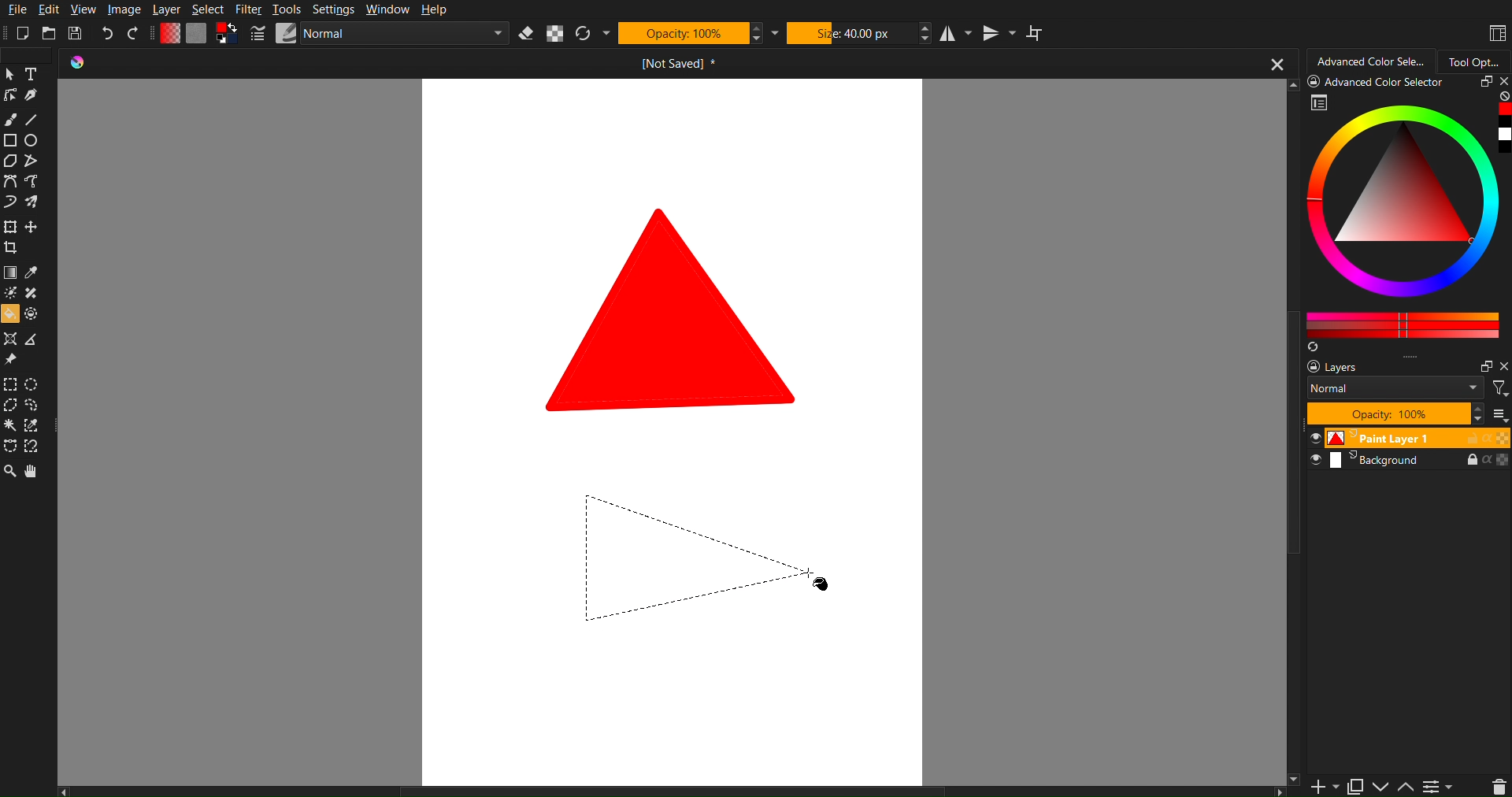  What do you see at coordinates (87, 9) in the screenshot?
I see `View` at bounding box center [87, 9].